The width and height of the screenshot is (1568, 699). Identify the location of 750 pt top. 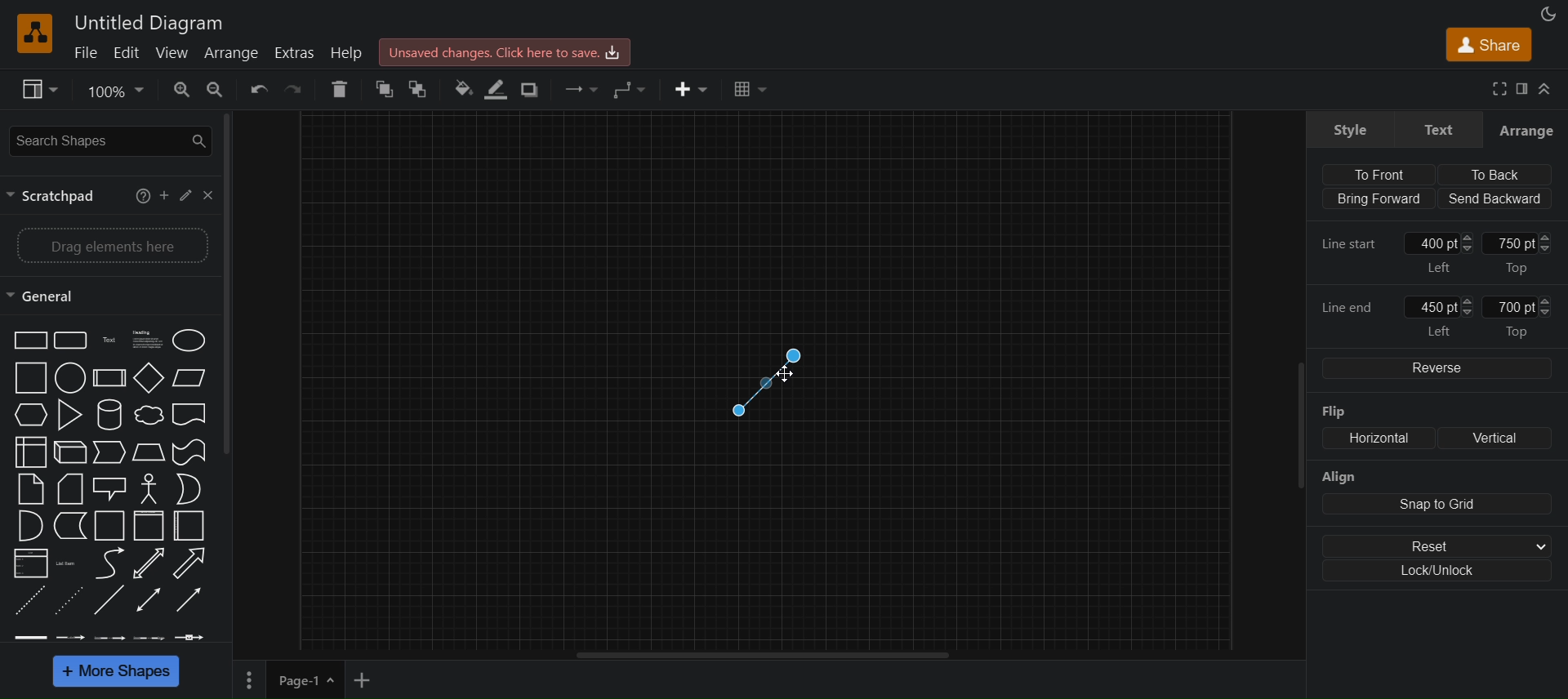
(1521, 252).